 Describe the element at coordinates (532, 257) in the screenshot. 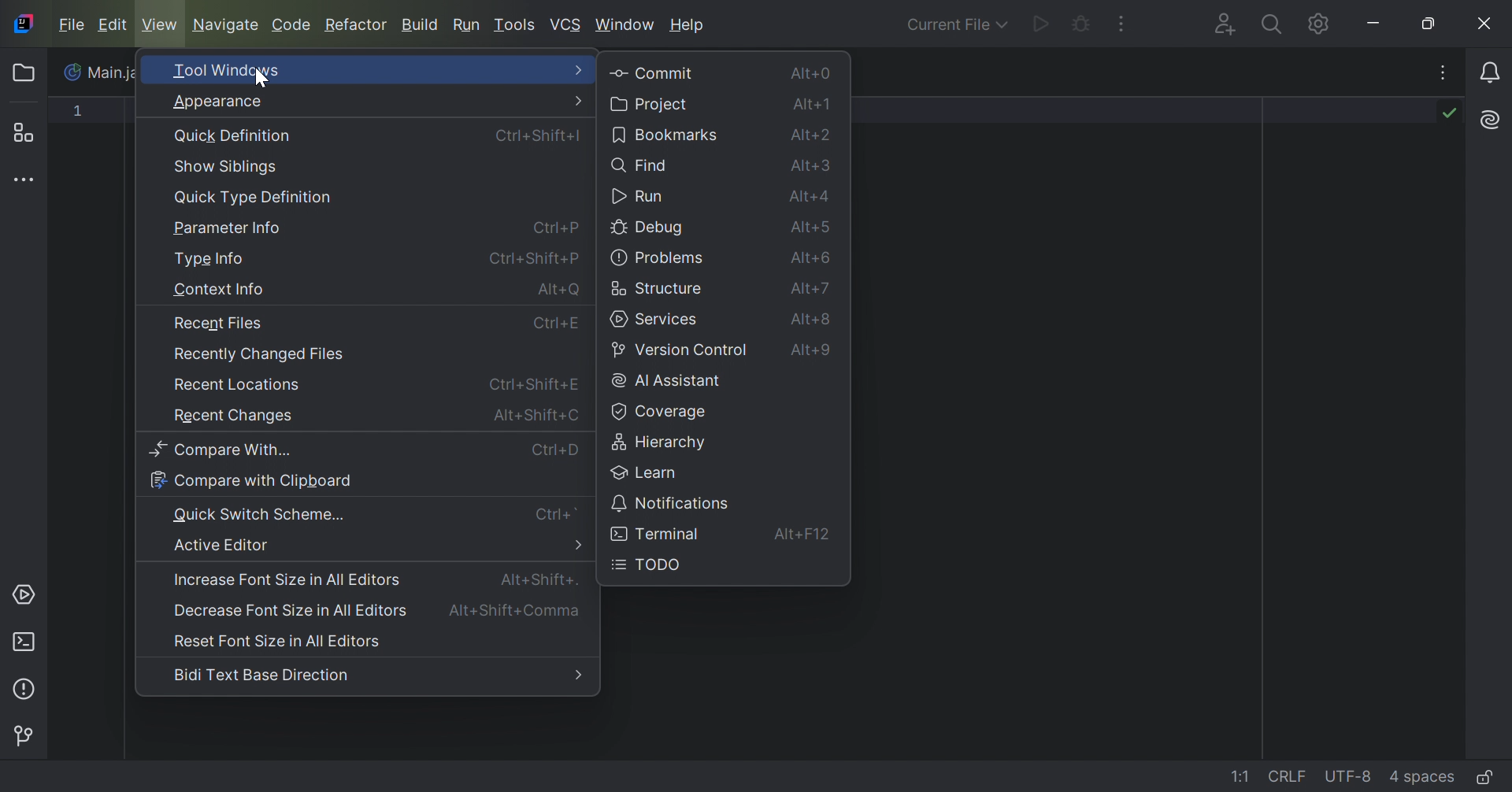

I see `Crl+Shift+P` at that location.